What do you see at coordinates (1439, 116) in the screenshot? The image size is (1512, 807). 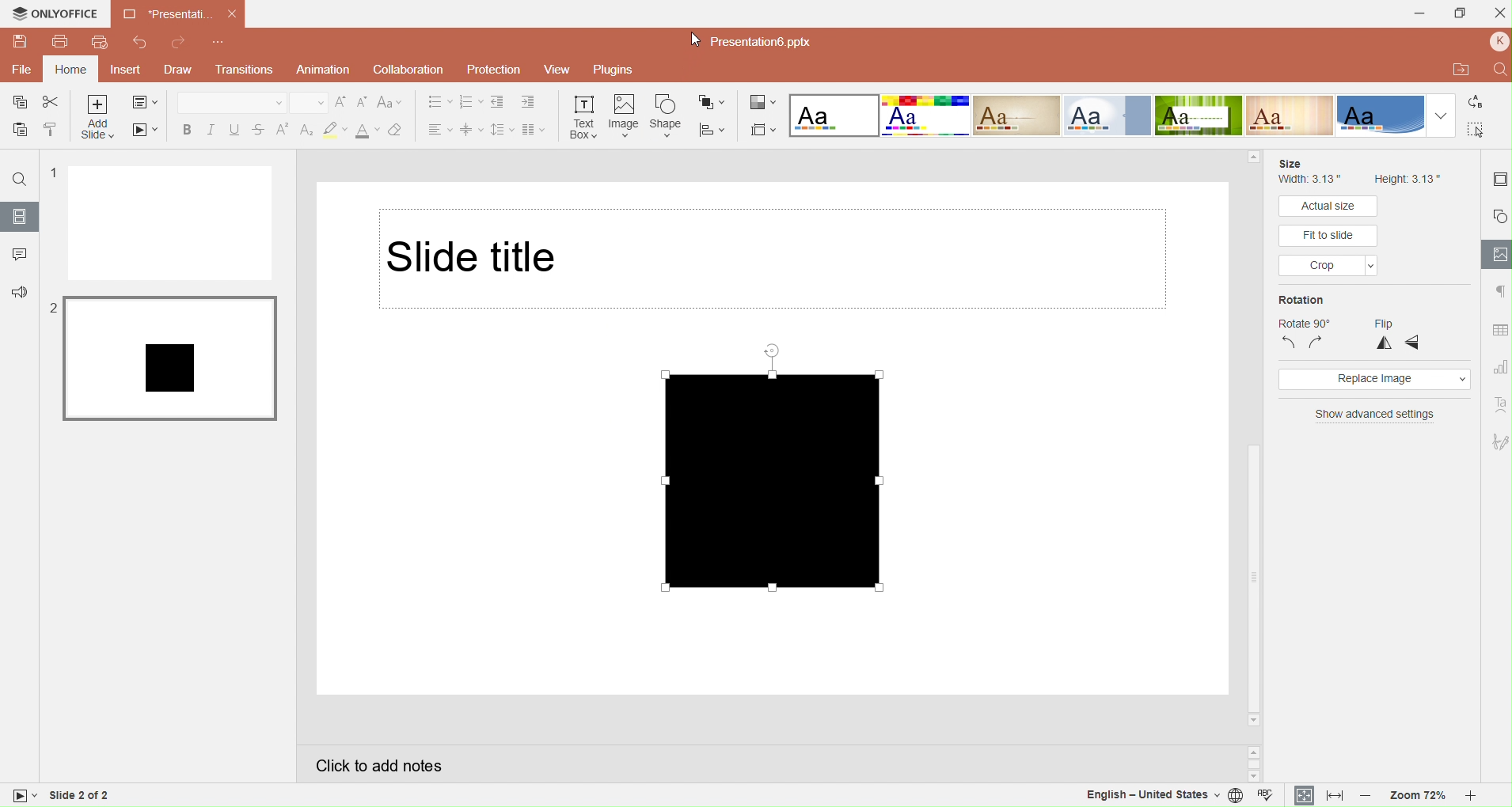 I see `Dropdown` at bounding box center [1439, 116].